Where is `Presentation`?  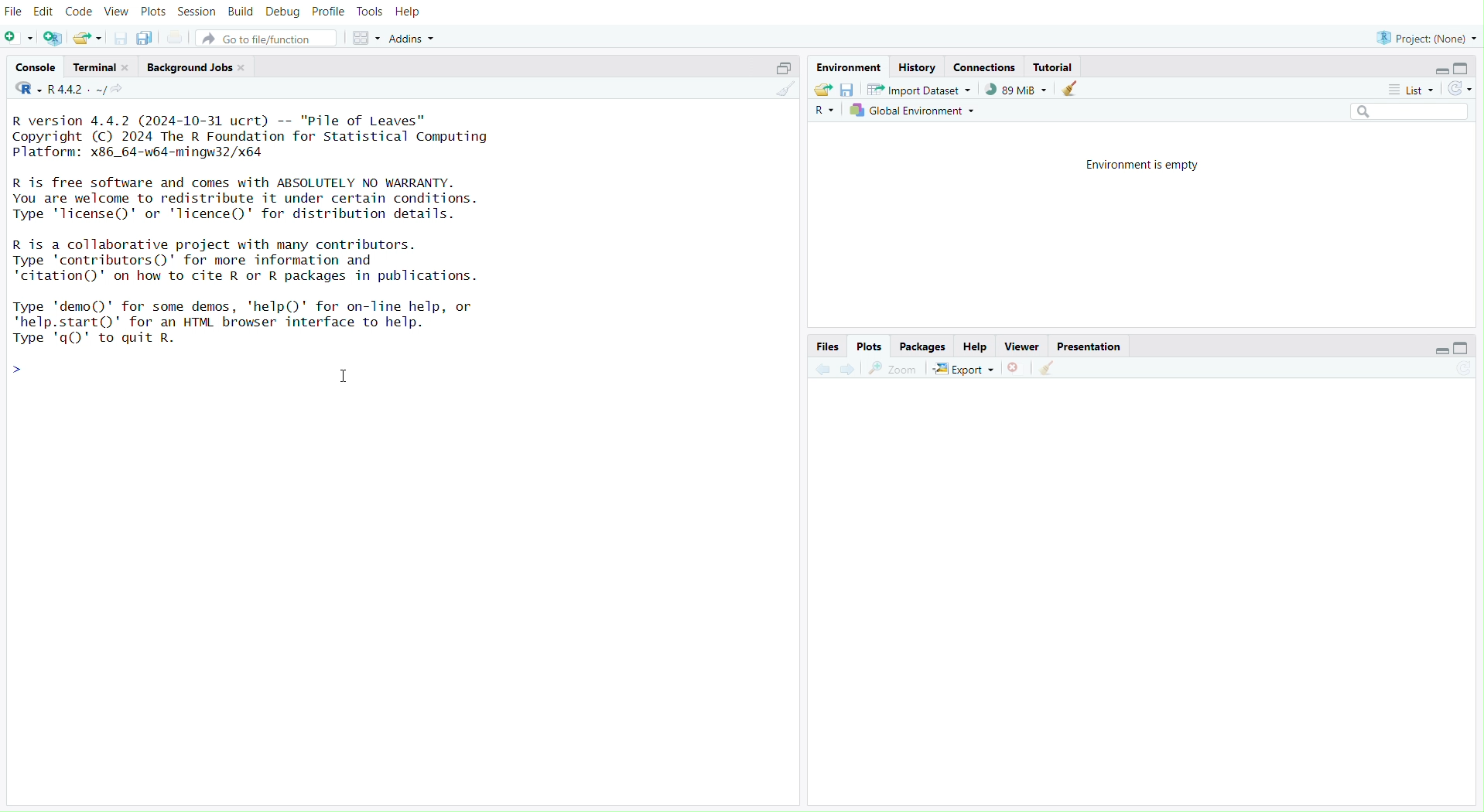
Presentation is located at coordinates (1092, 346).